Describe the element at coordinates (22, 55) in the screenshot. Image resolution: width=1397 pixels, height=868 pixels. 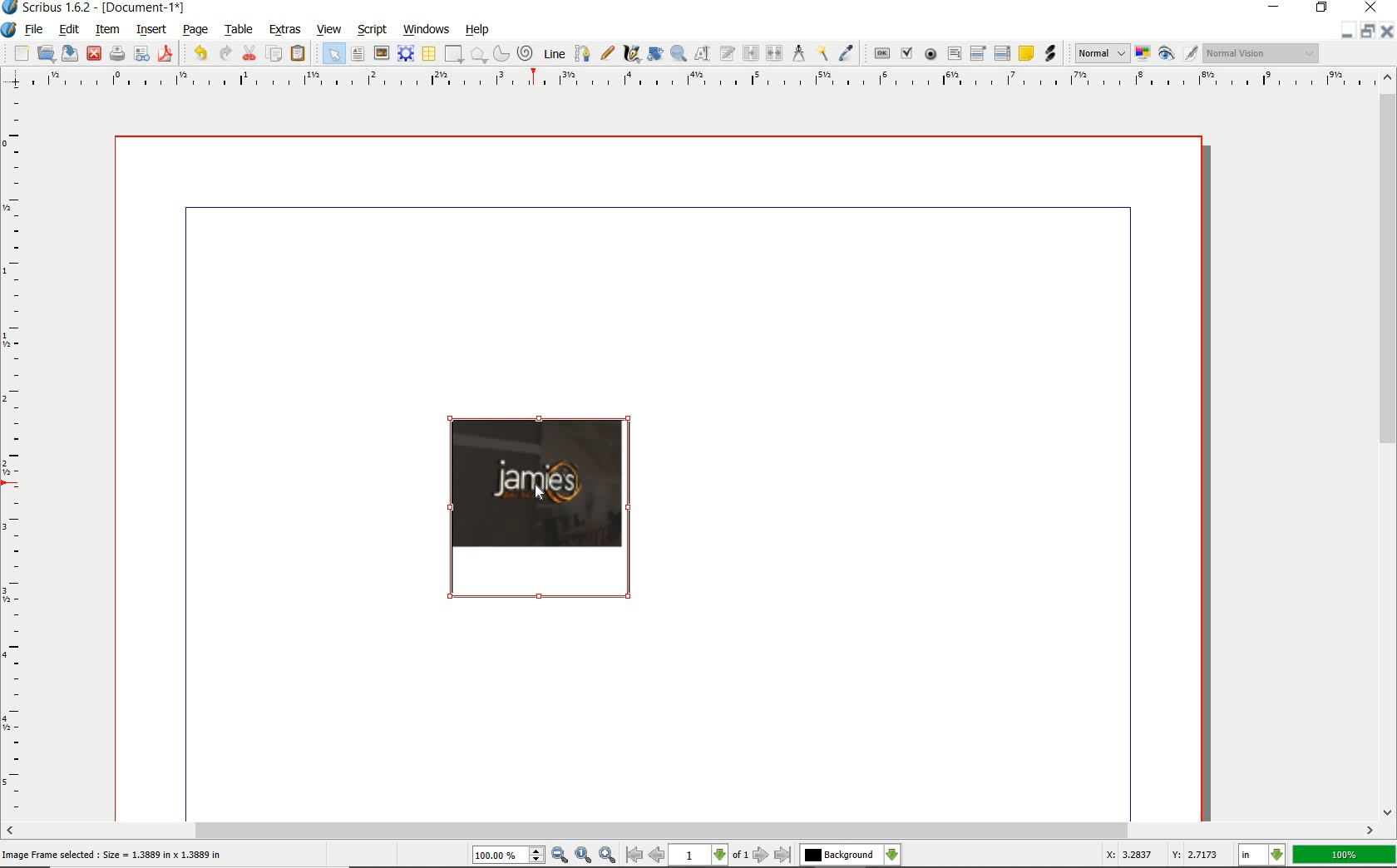
I see `new` at that location.